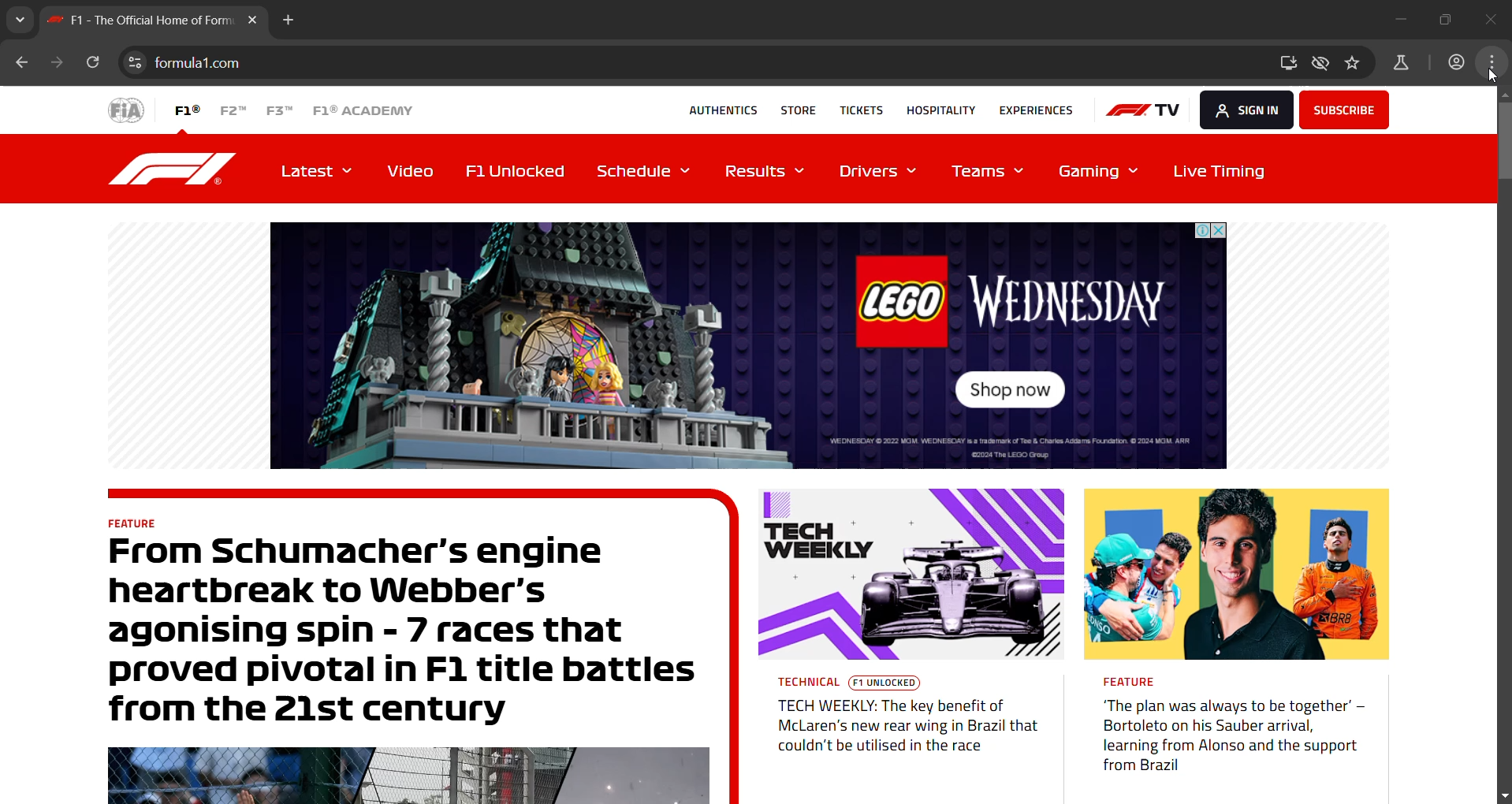  I want to click on TV, so click(1143, 111).